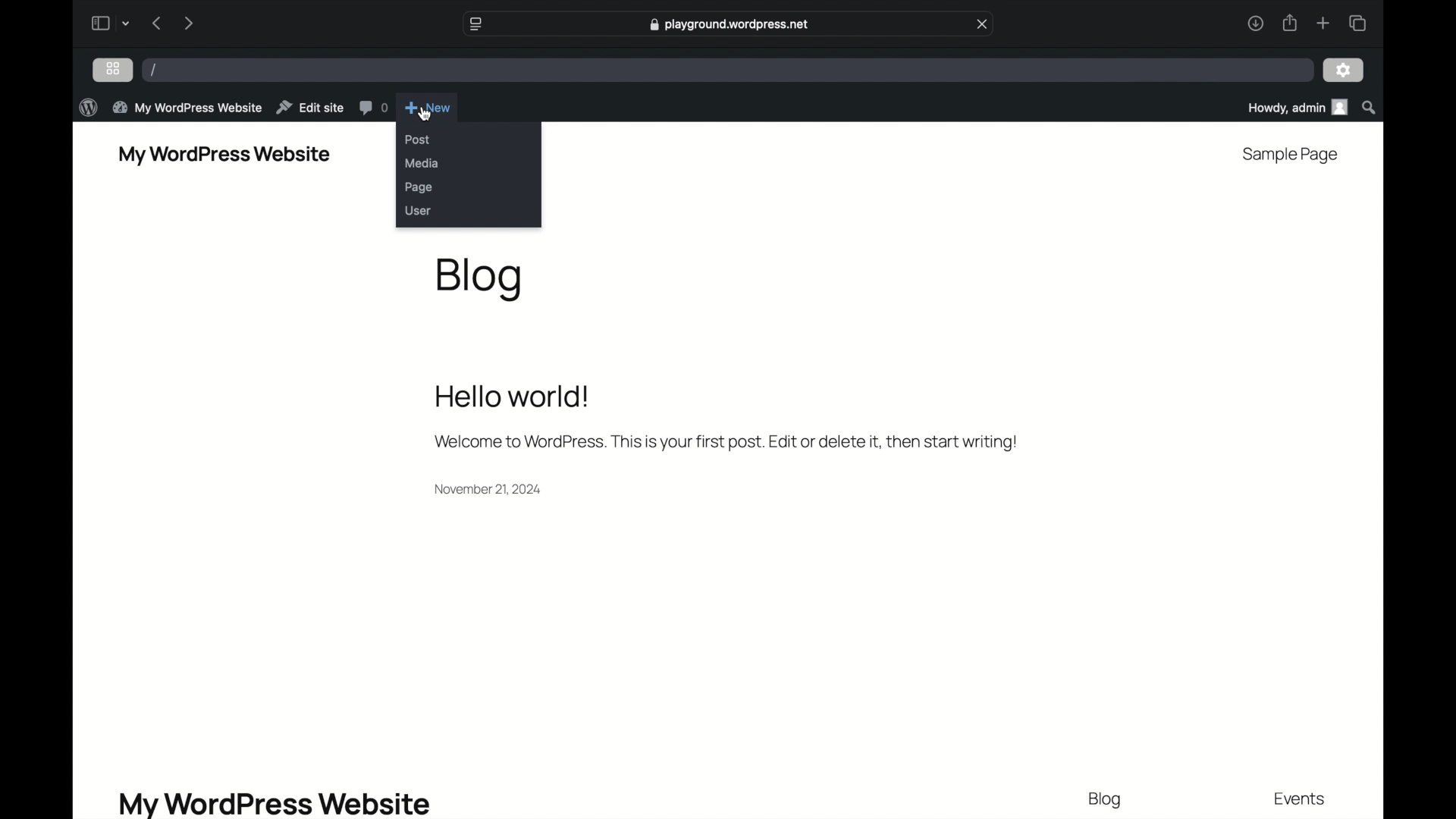 This screenshot has width=1456, height=819. What do you see at coordinates (127, 24) in the screenshot?
I see `dropdown` at bounding box center [127, 24].